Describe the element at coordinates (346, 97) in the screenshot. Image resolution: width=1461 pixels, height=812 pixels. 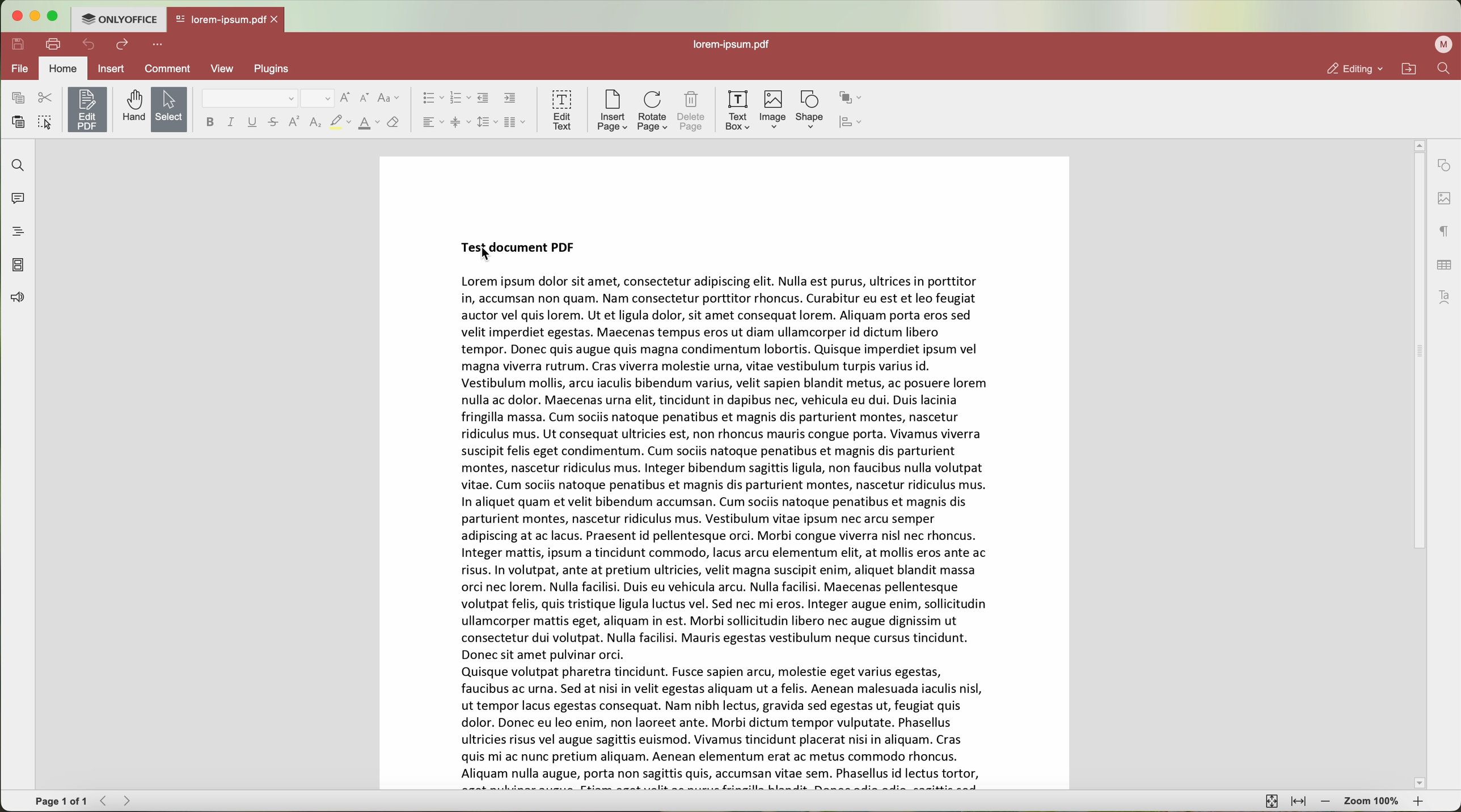
I see `increment font size` at that location.